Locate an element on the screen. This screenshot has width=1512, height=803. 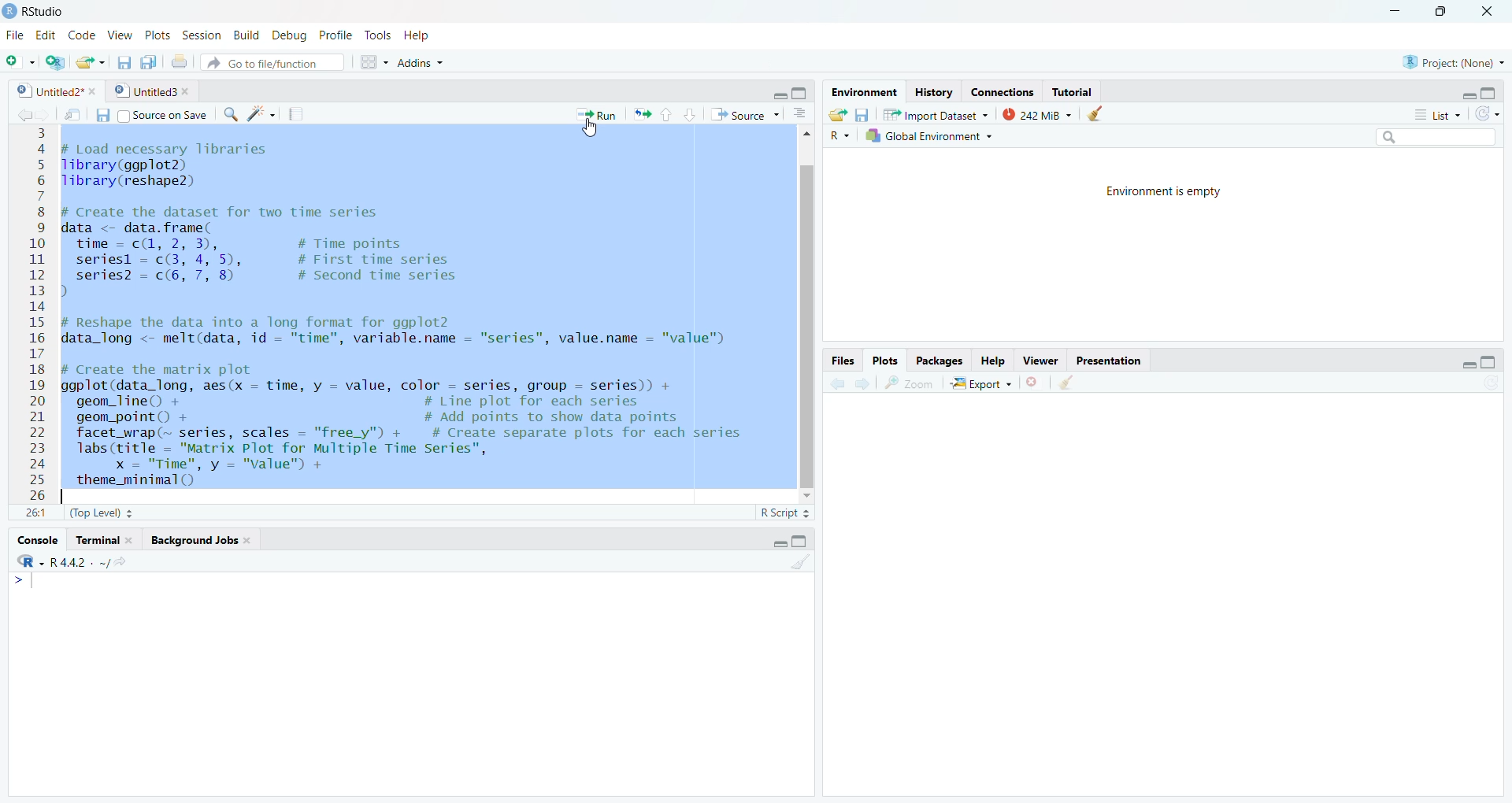
Close is located at coordinates (1486, 12).